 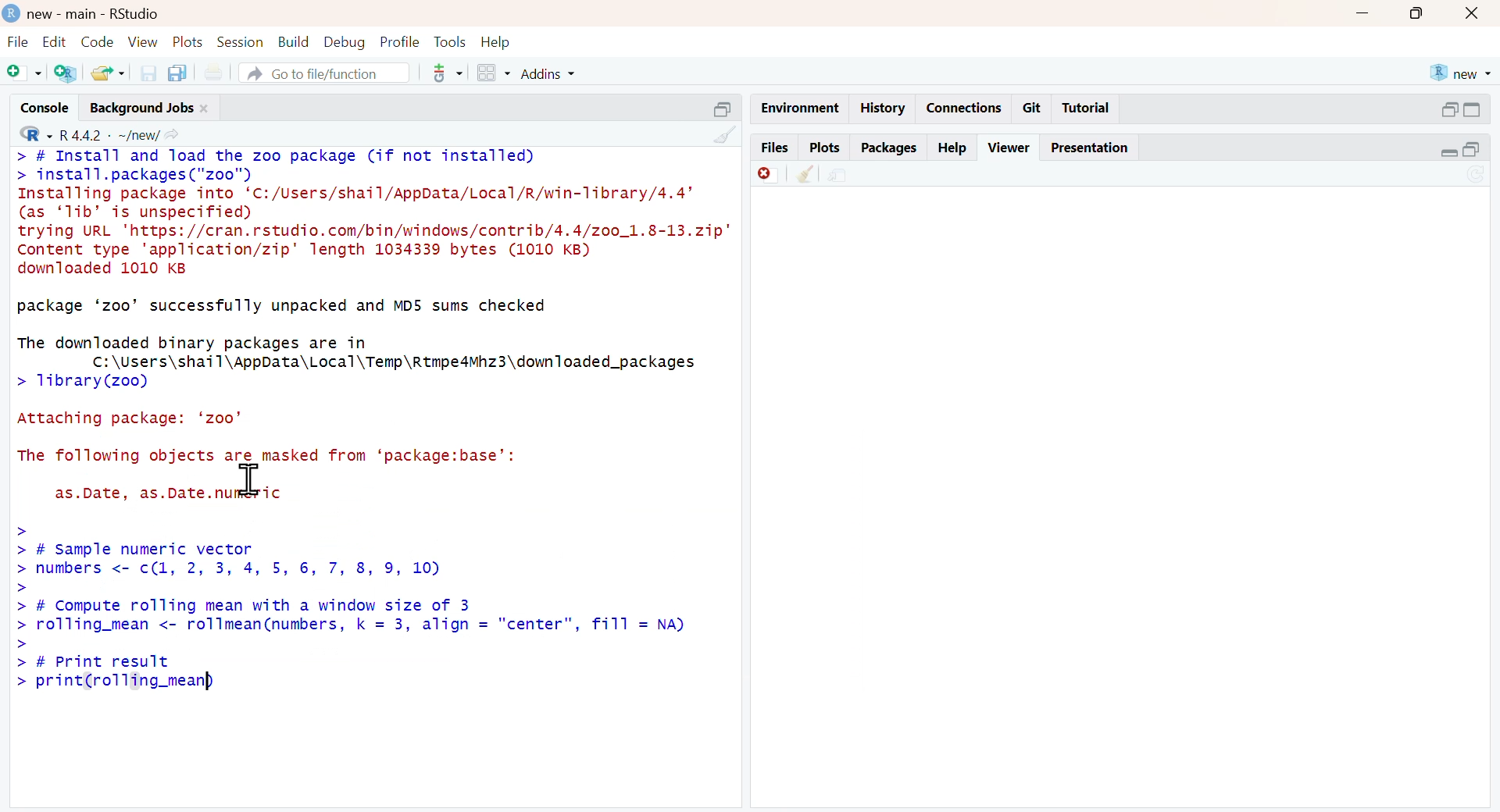 I want to click on enviornment, so click(x=798, y=107).